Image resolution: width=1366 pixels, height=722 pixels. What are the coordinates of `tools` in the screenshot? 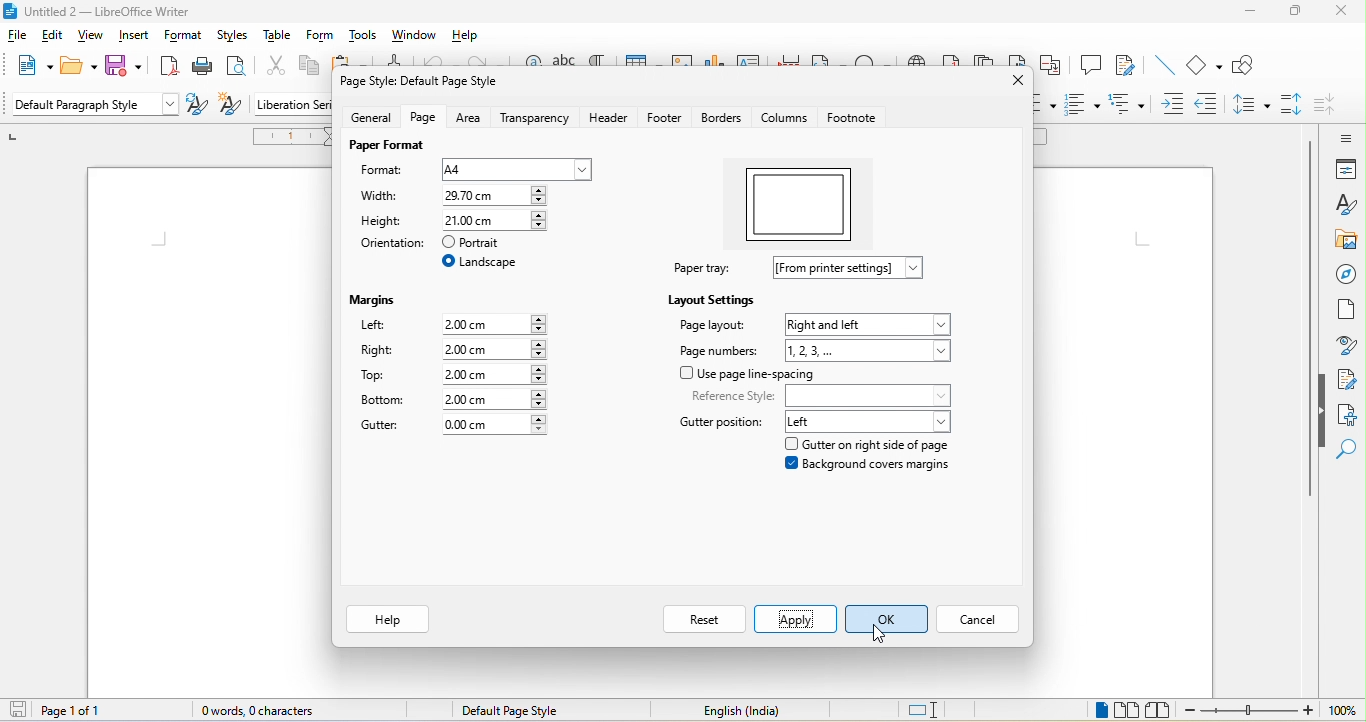 It's located at (365, 40).